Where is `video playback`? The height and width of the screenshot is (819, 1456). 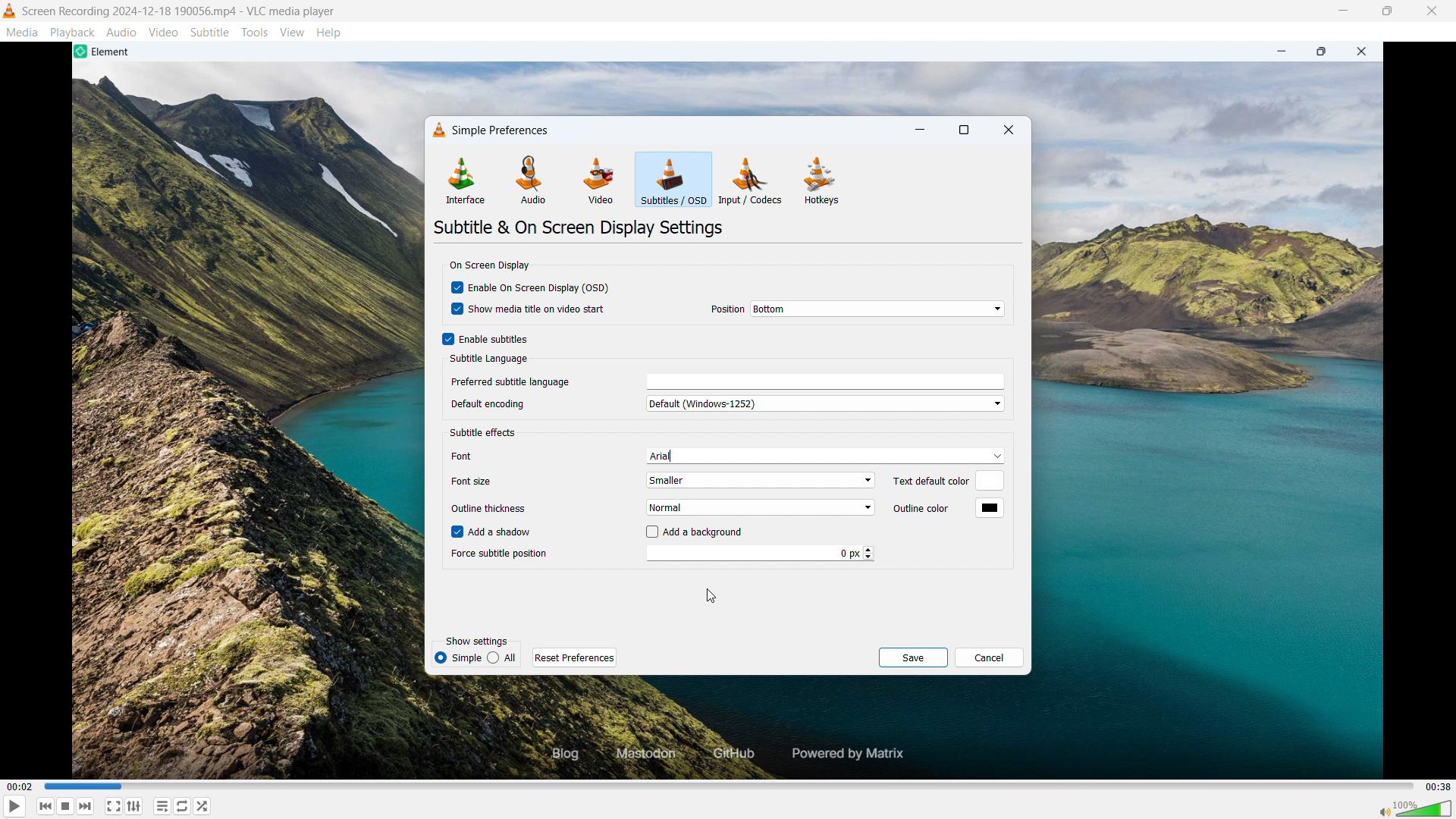 video playback is located at coordinates (736, 78).